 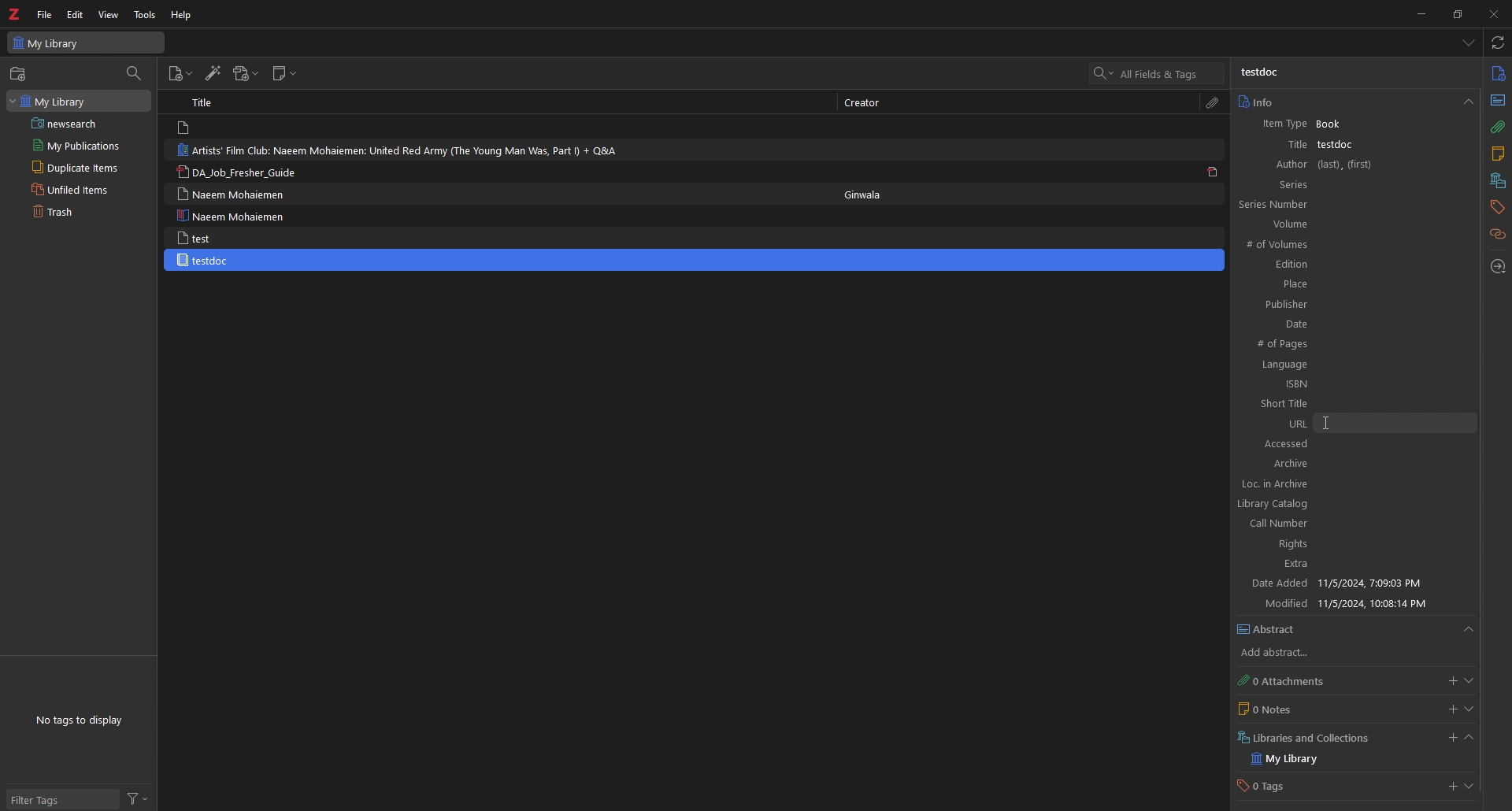 What do you see at coordinates (185, 128) in the screenshot?
I see `file logo` at bounding box center [185, 128].